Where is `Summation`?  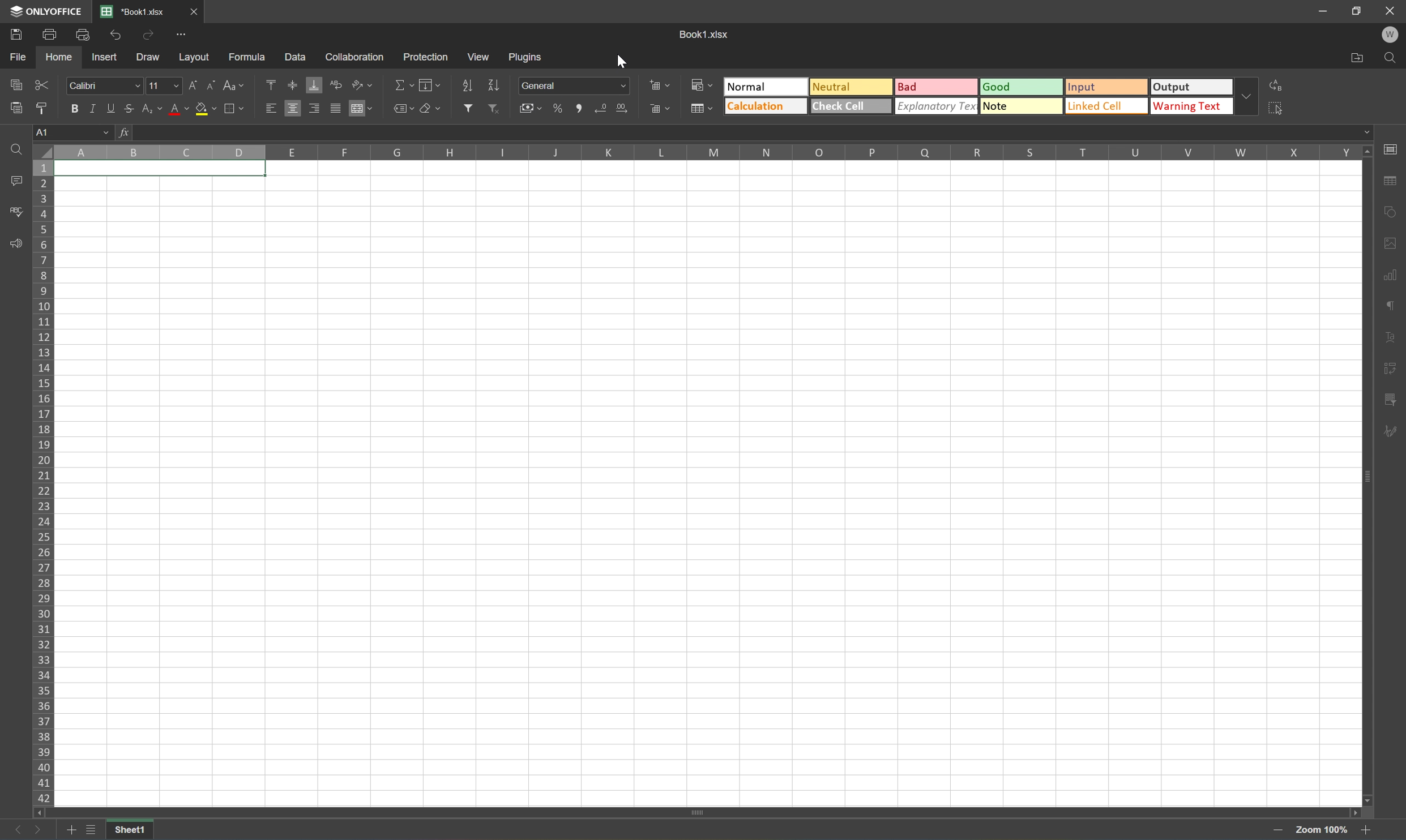
Summation is located at coordinates (402, 85).